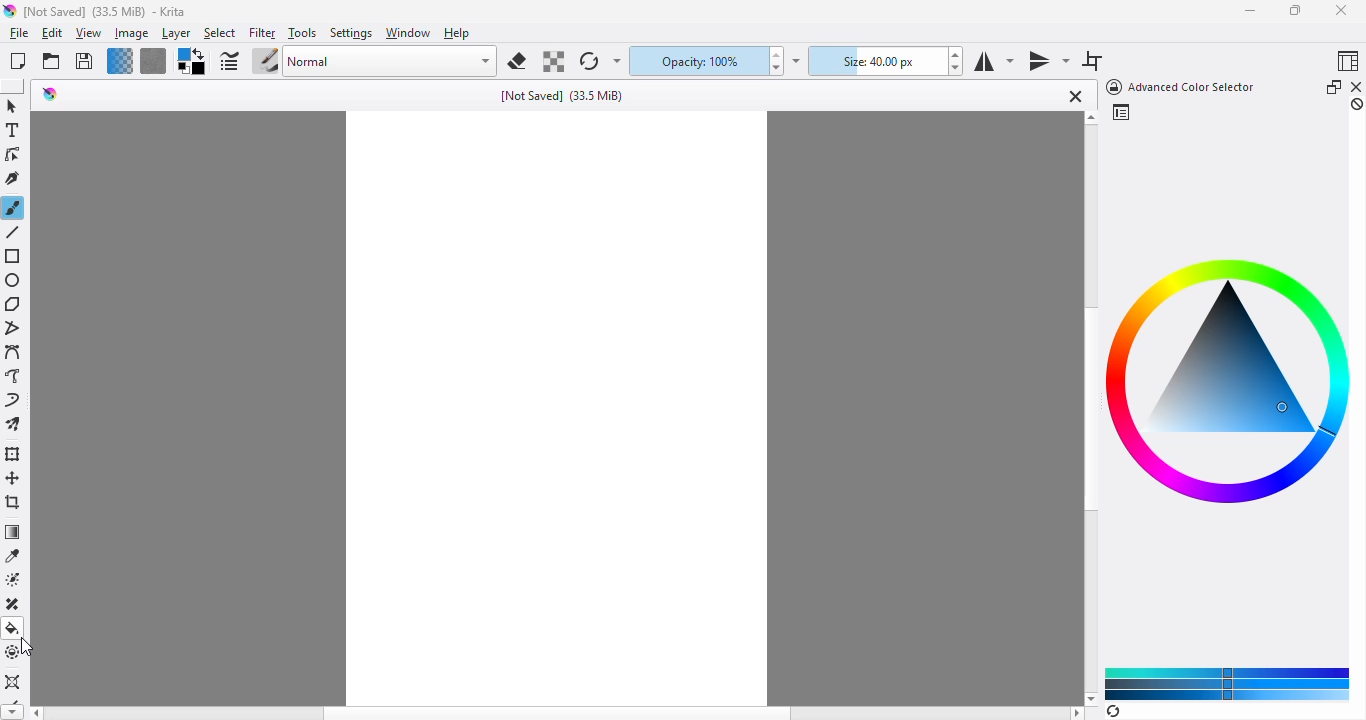 The image size is (1366, 720). What do you see at coordinates (1113, 711) in the screenshot?
I see `refresh` at bounding box center [1113, 711].